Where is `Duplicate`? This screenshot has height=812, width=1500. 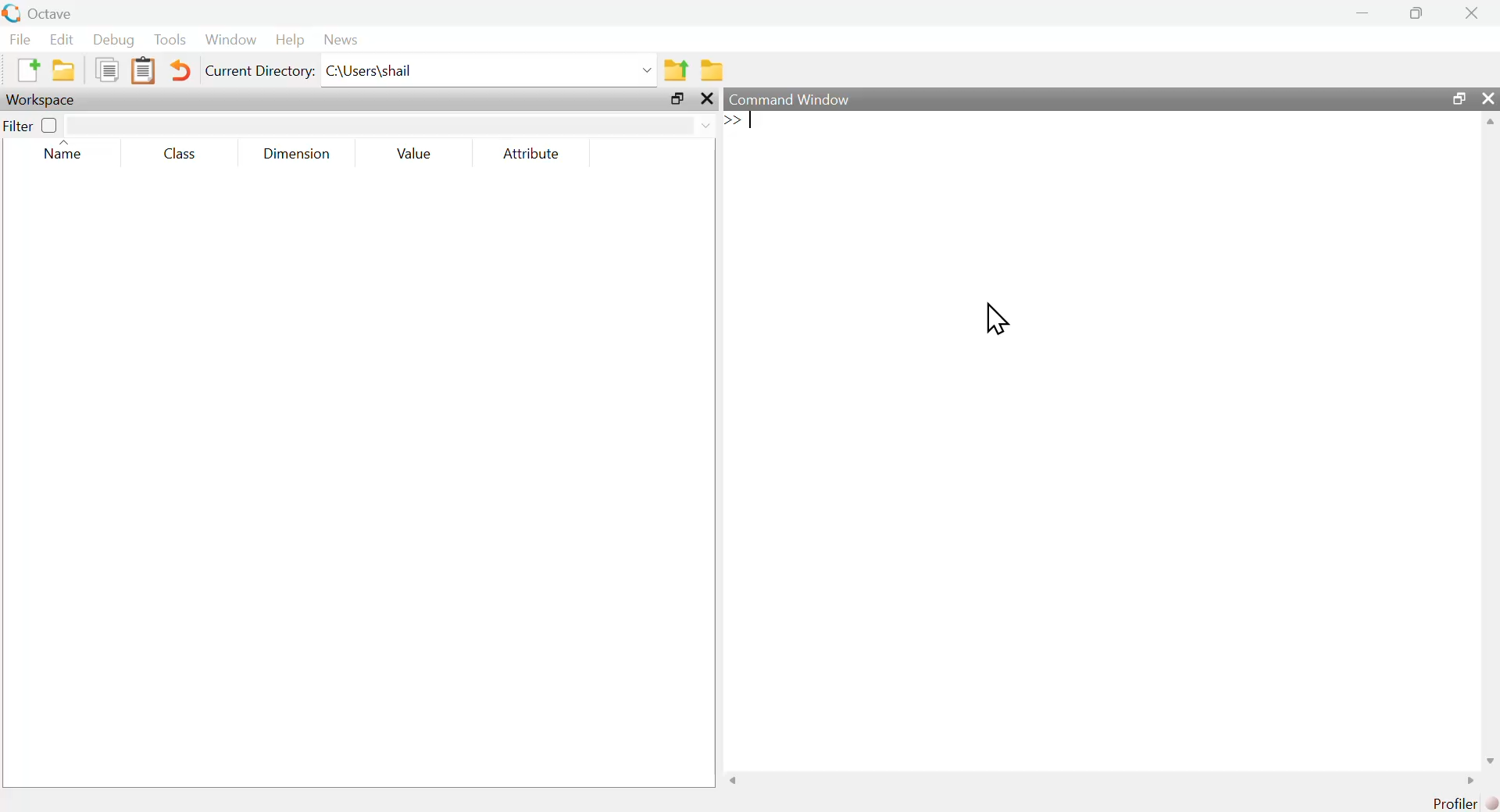 Duplicate is located at coordinates (106, 69).